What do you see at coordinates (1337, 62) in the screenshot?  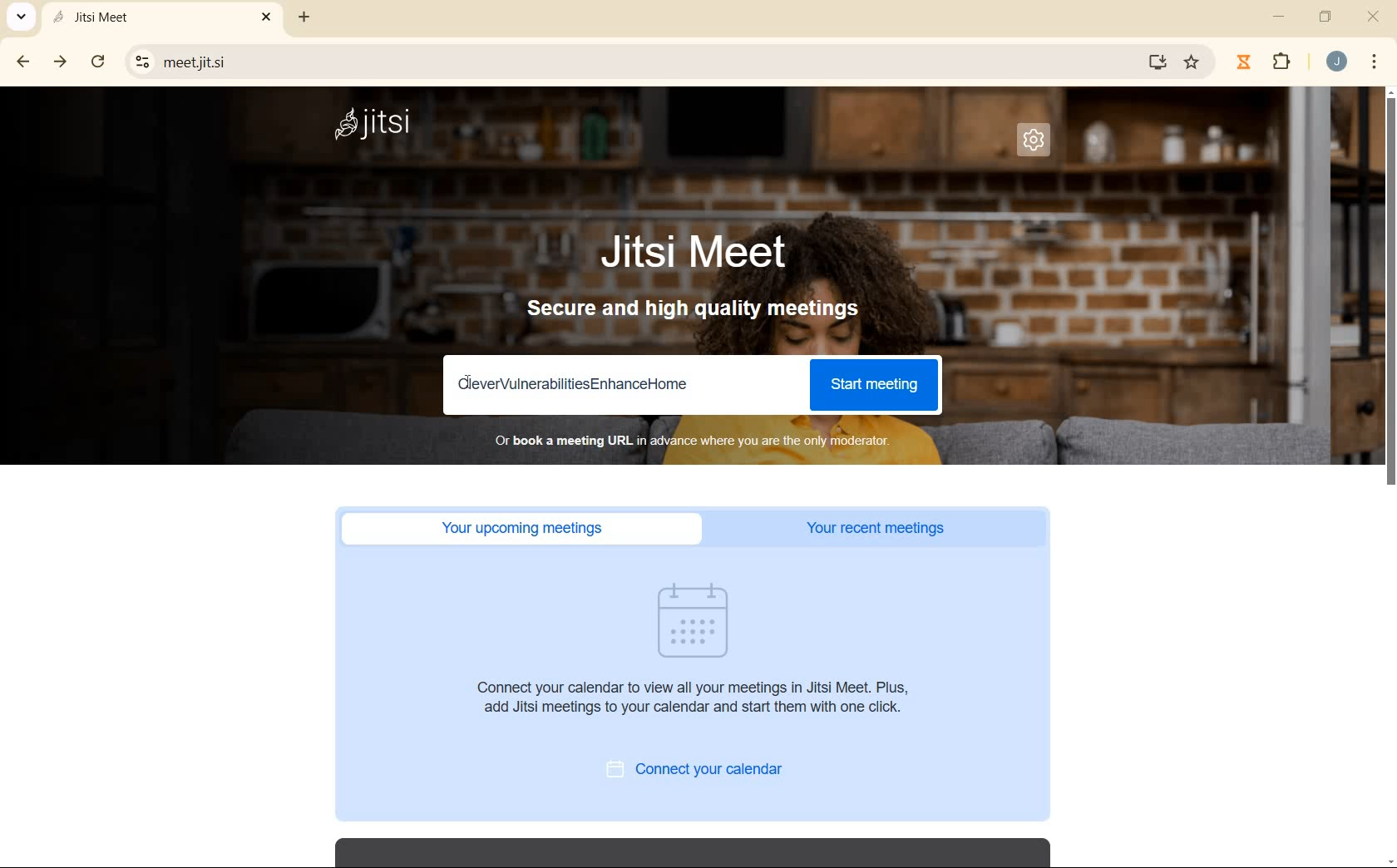 I see `ACCOUNT` at bounding box center [1337, 62].